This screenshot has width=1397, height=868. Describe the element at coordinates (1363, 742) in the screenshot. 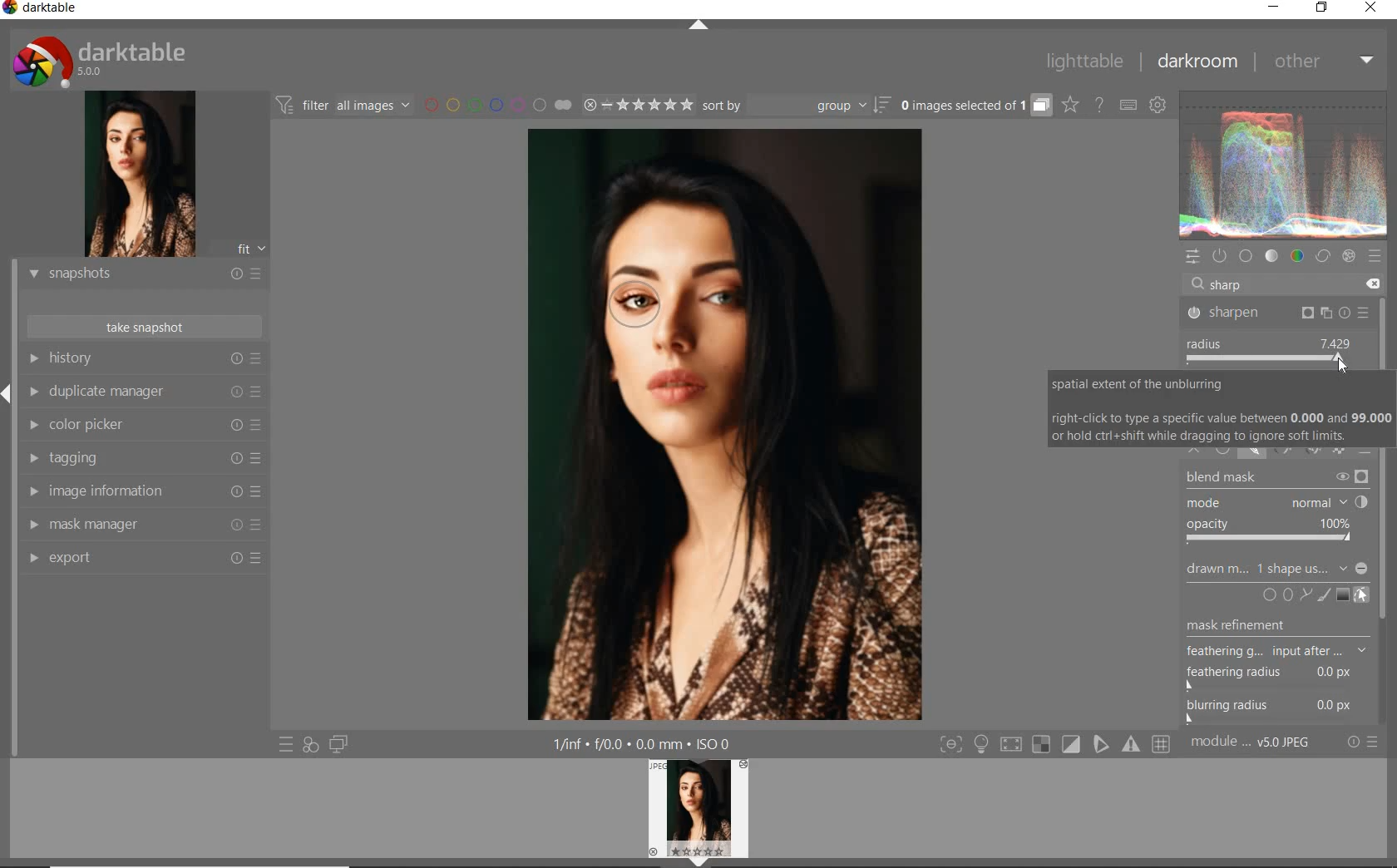

I see `reset or presets and preferences` at that location.